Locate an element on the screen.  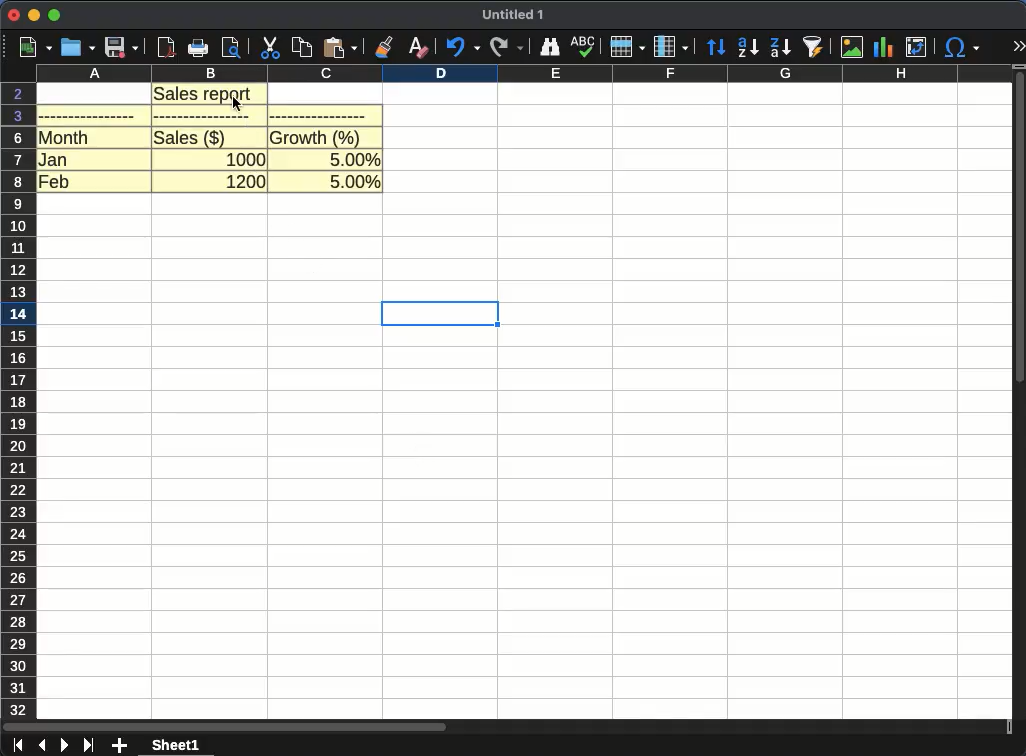
descending  is located at coordinates (781, 48).